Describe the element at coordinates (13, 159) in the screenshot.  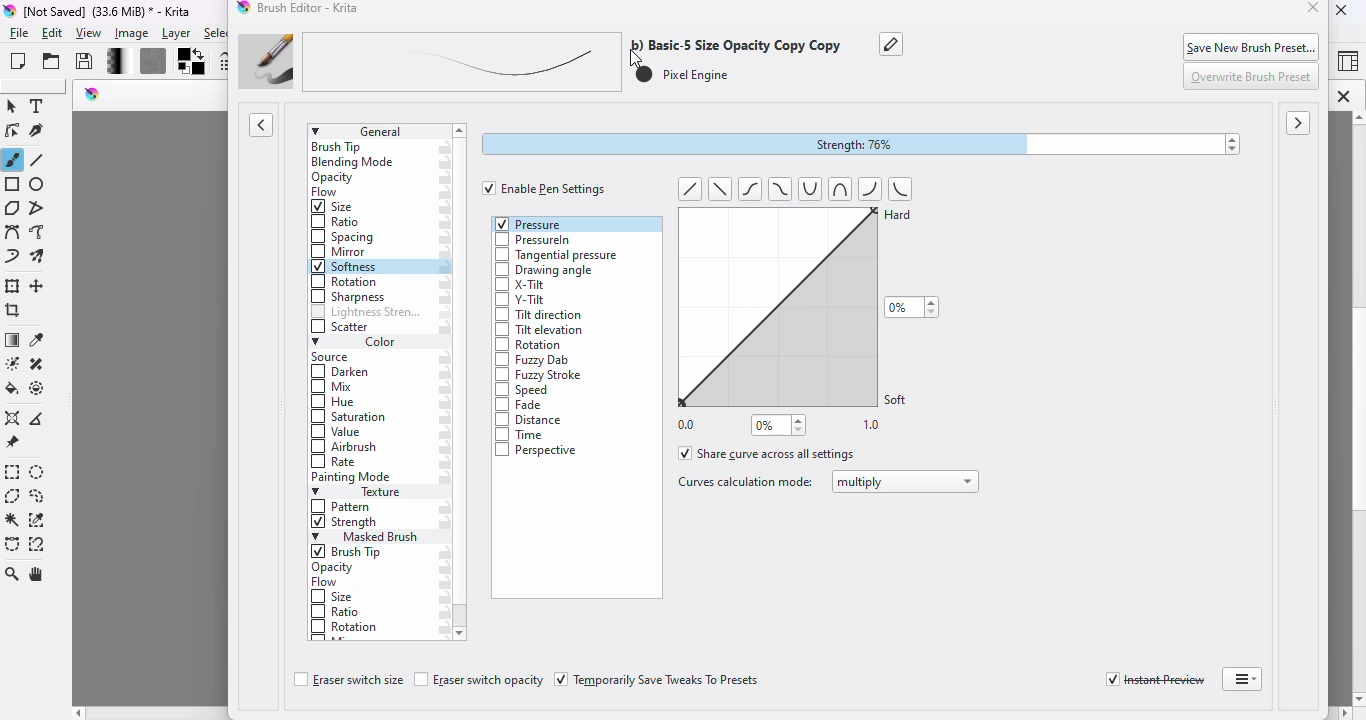
I see `freehand brush tool` at that location.